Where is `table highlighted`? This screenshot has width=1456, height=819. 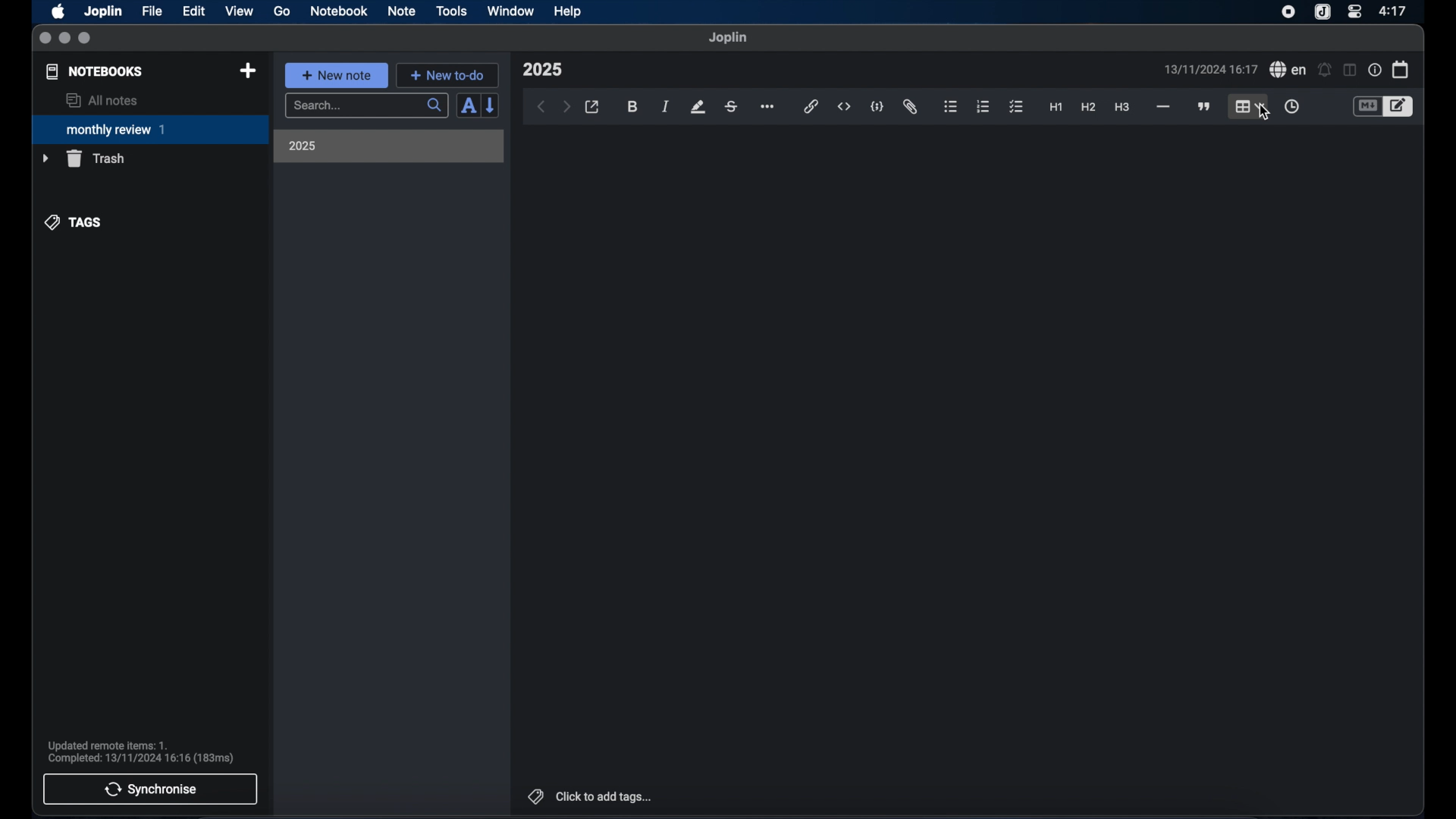
table highlighted is located at coordinates (1247, 106).